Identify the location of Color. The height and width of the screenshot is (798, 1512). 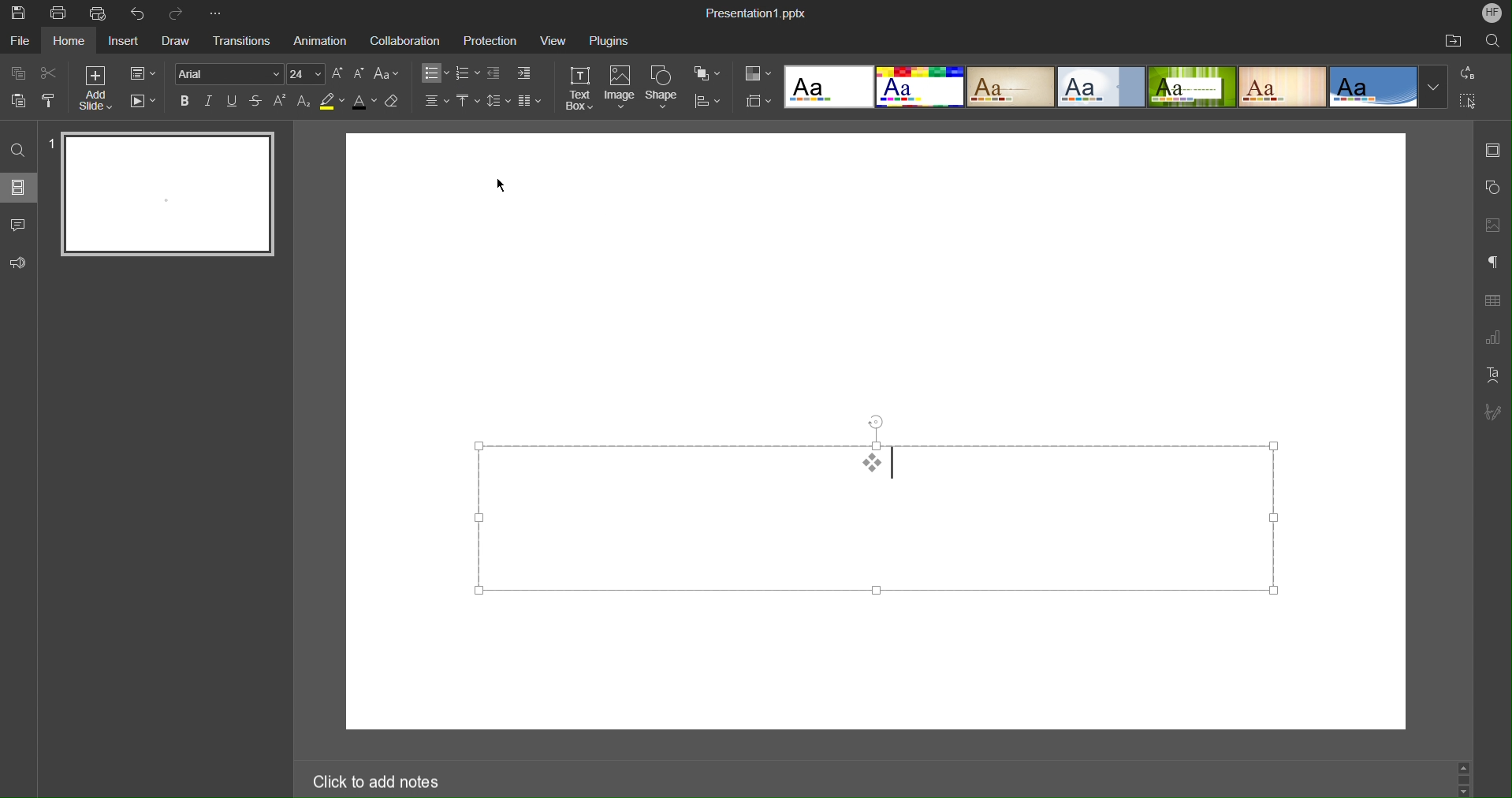
(758, 73).